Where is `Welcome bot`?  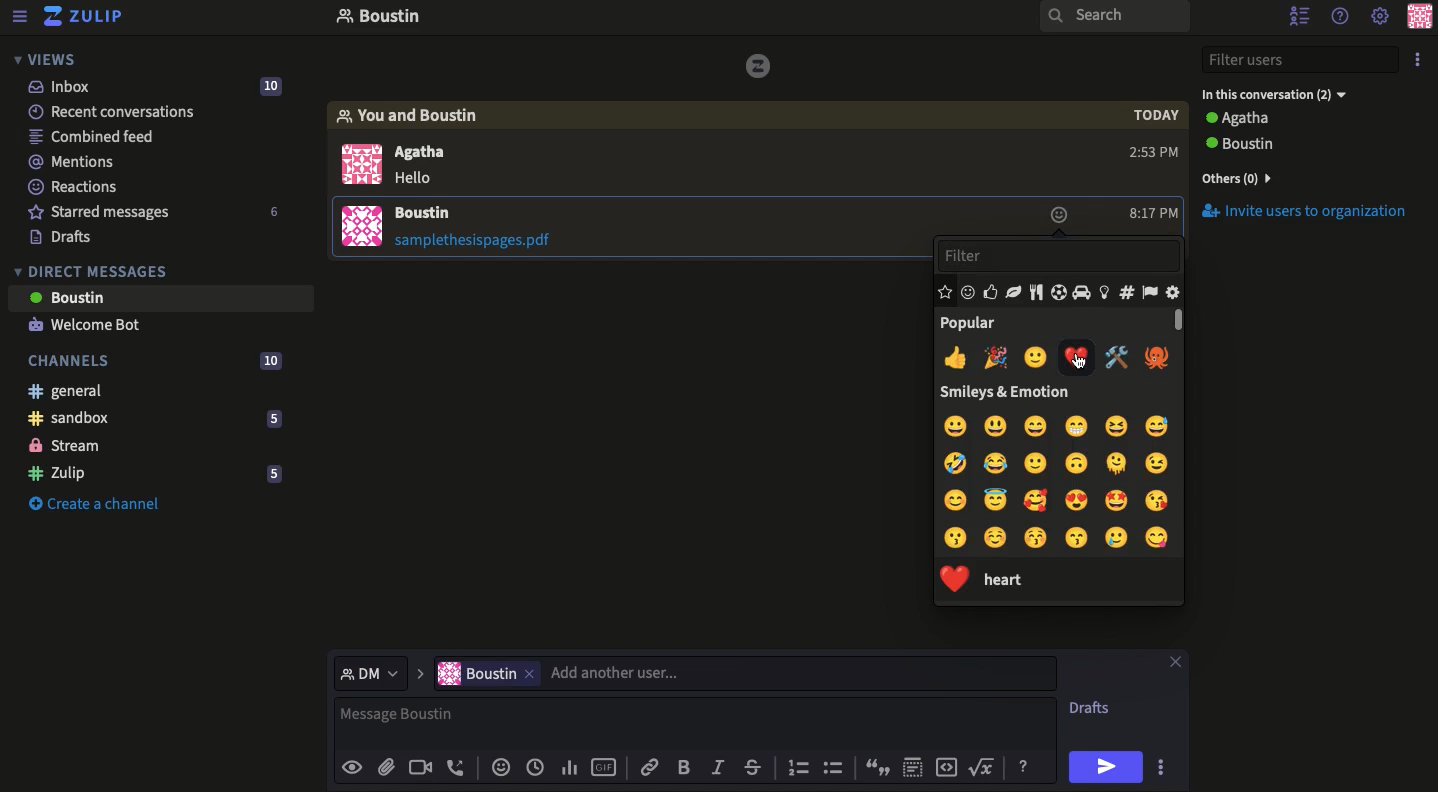 Welcome bot is located at coordinates (90, 326).